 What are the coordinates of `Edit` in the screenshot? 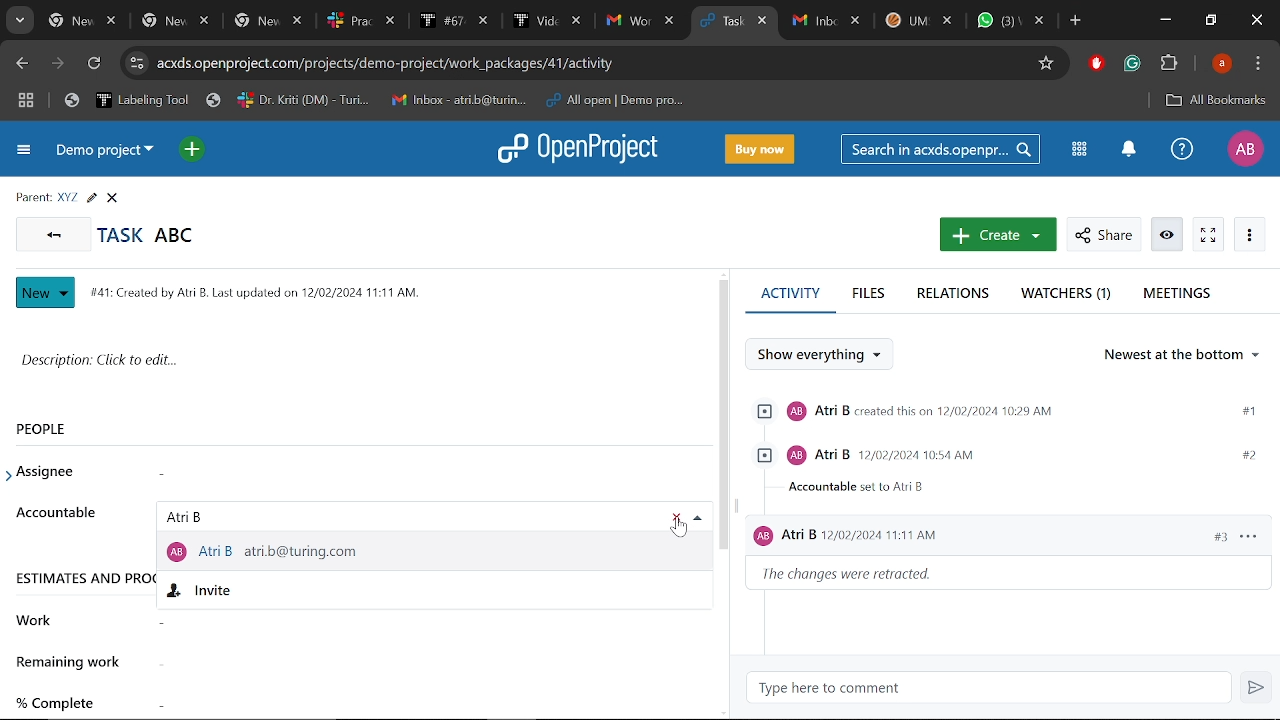 It's located at (91, 198).